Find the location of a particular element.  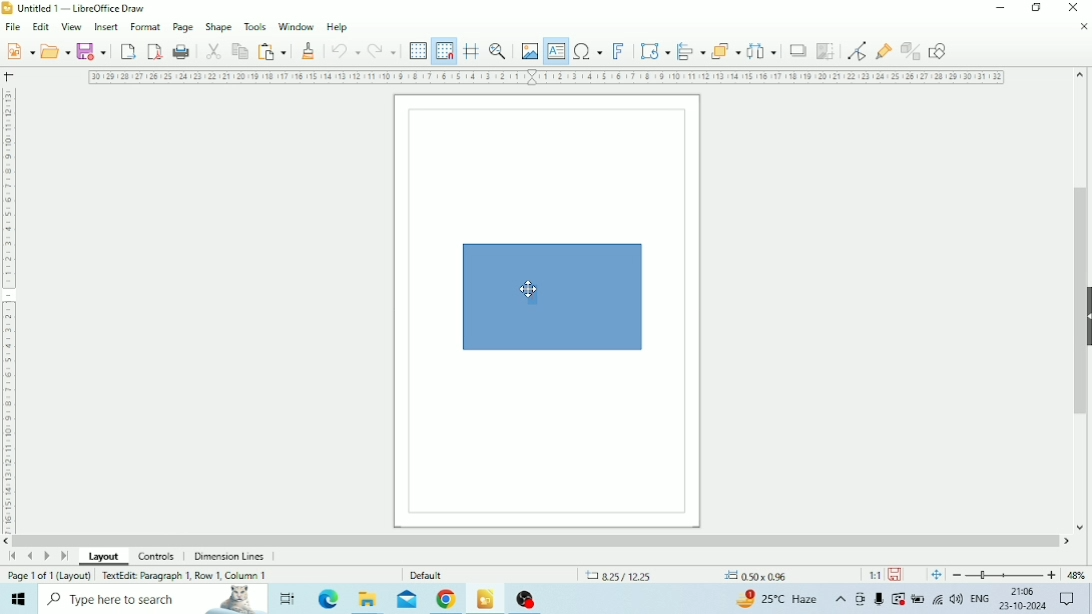

Horizontal scrollbar is located at coordinates (536, 541).